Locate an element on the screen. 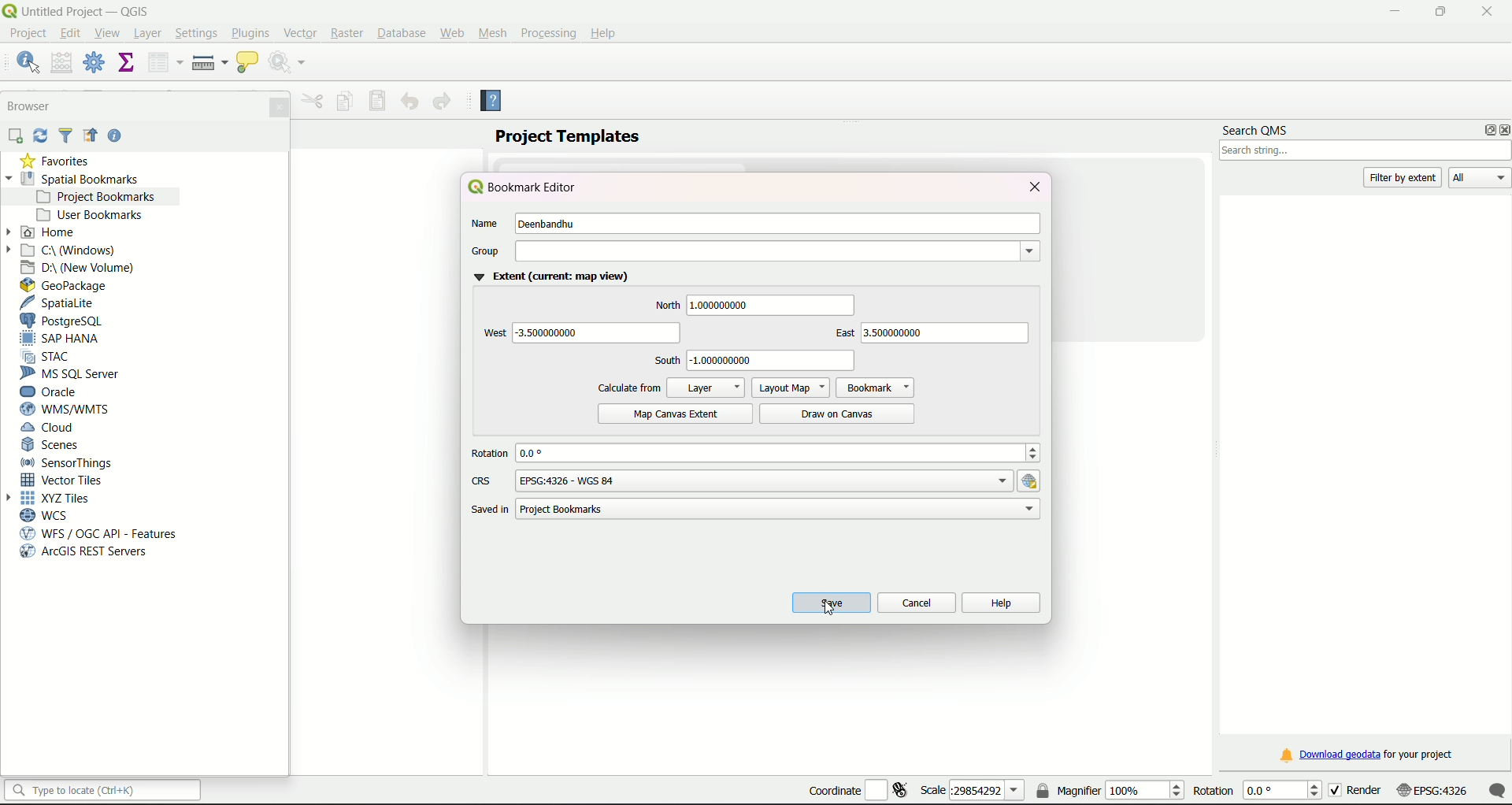  project is located at coordinates (29, 35).